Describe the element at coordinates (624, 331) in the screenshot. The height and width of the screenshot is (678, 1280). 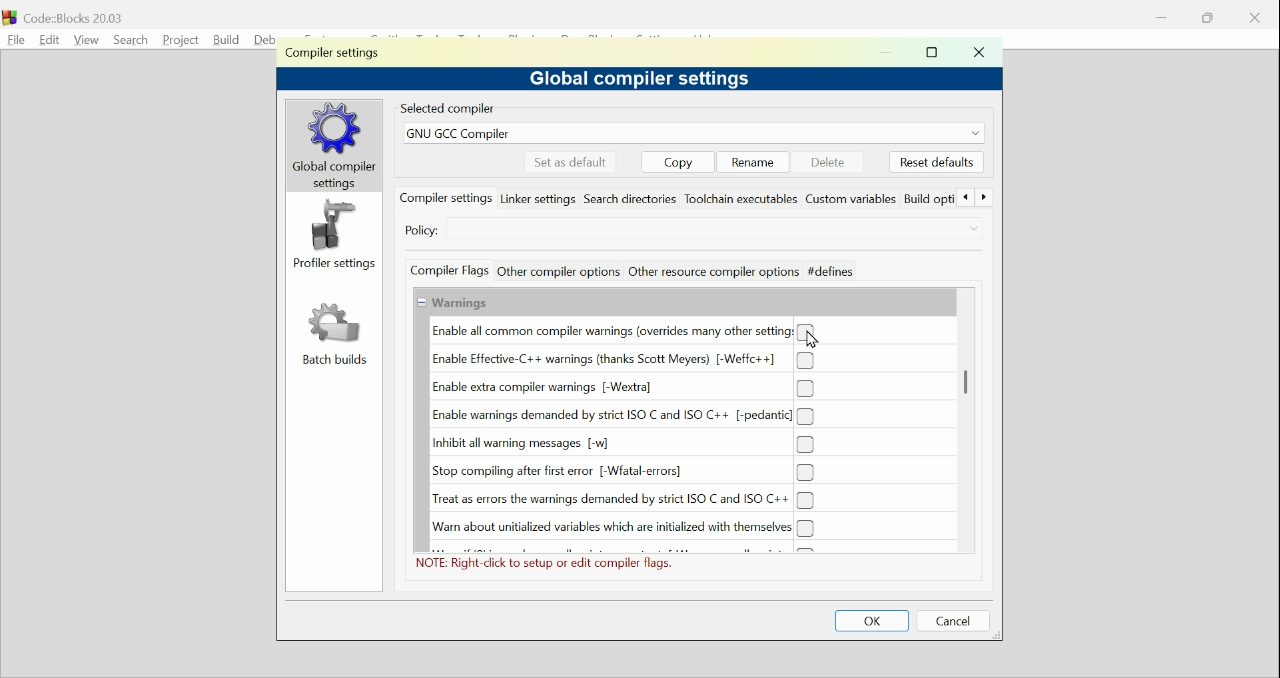
I see `(un)check Enable all common compiler warnings` at that location.